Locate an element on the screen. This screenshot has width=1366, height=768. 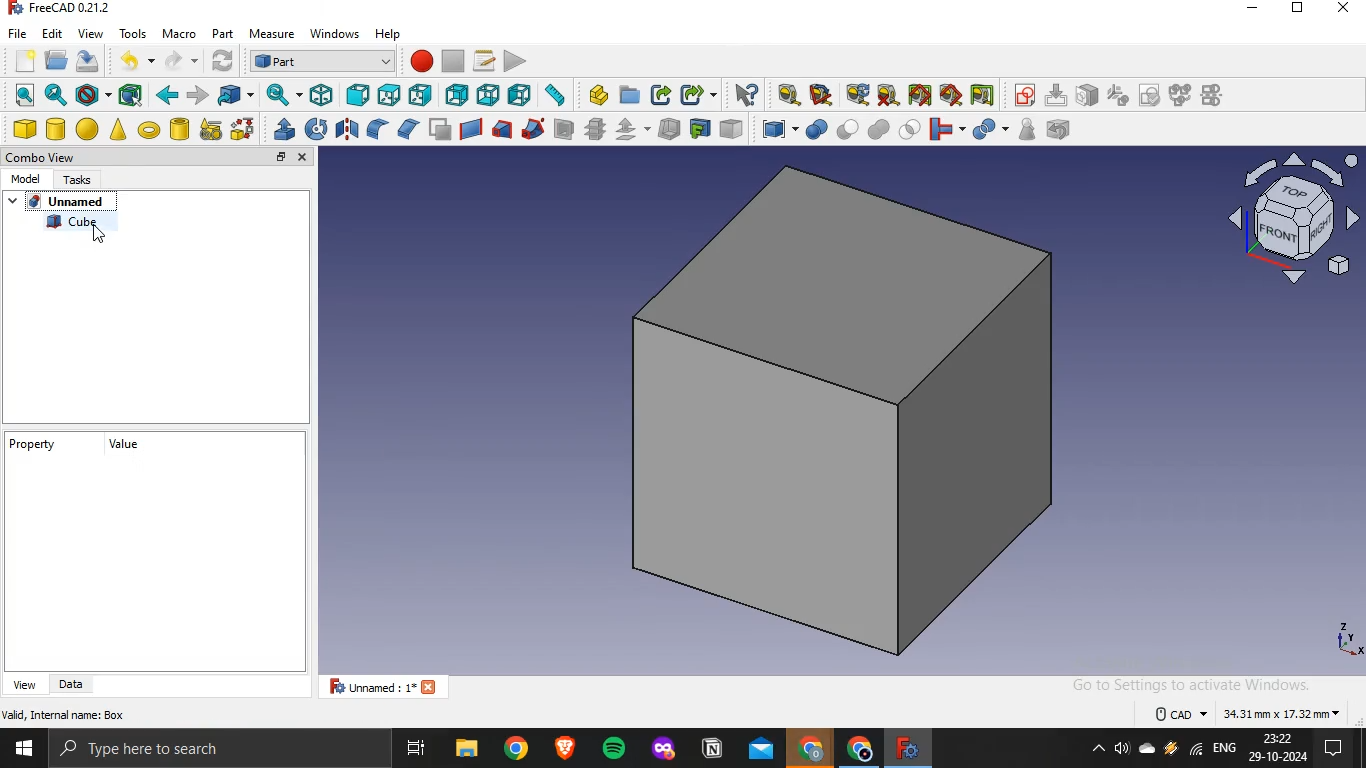
redo is located at coordinates (174, 61).